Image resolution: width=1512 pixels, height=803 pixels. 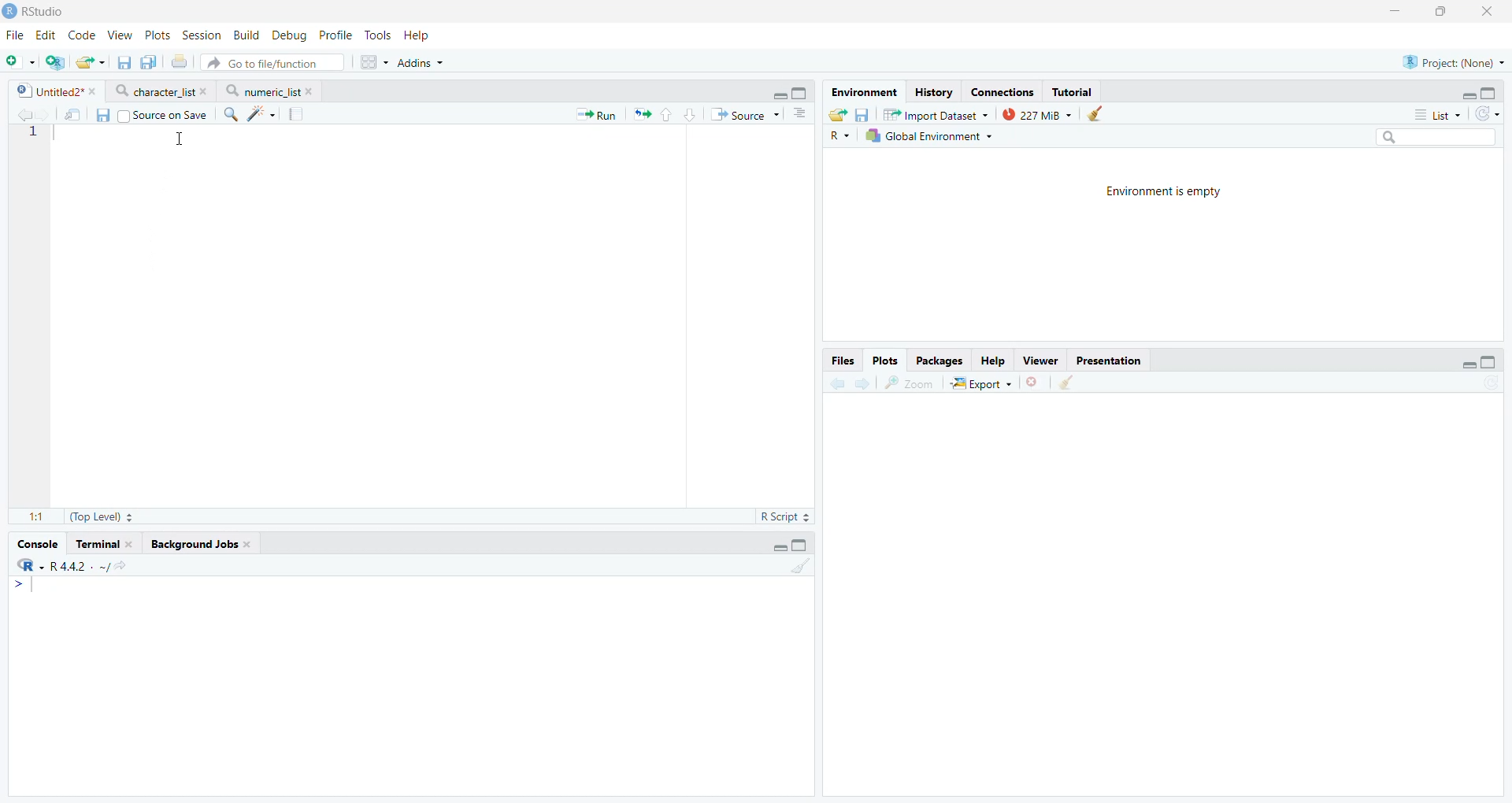 I want to click on Project: (None), so click(x=1454, y=61).